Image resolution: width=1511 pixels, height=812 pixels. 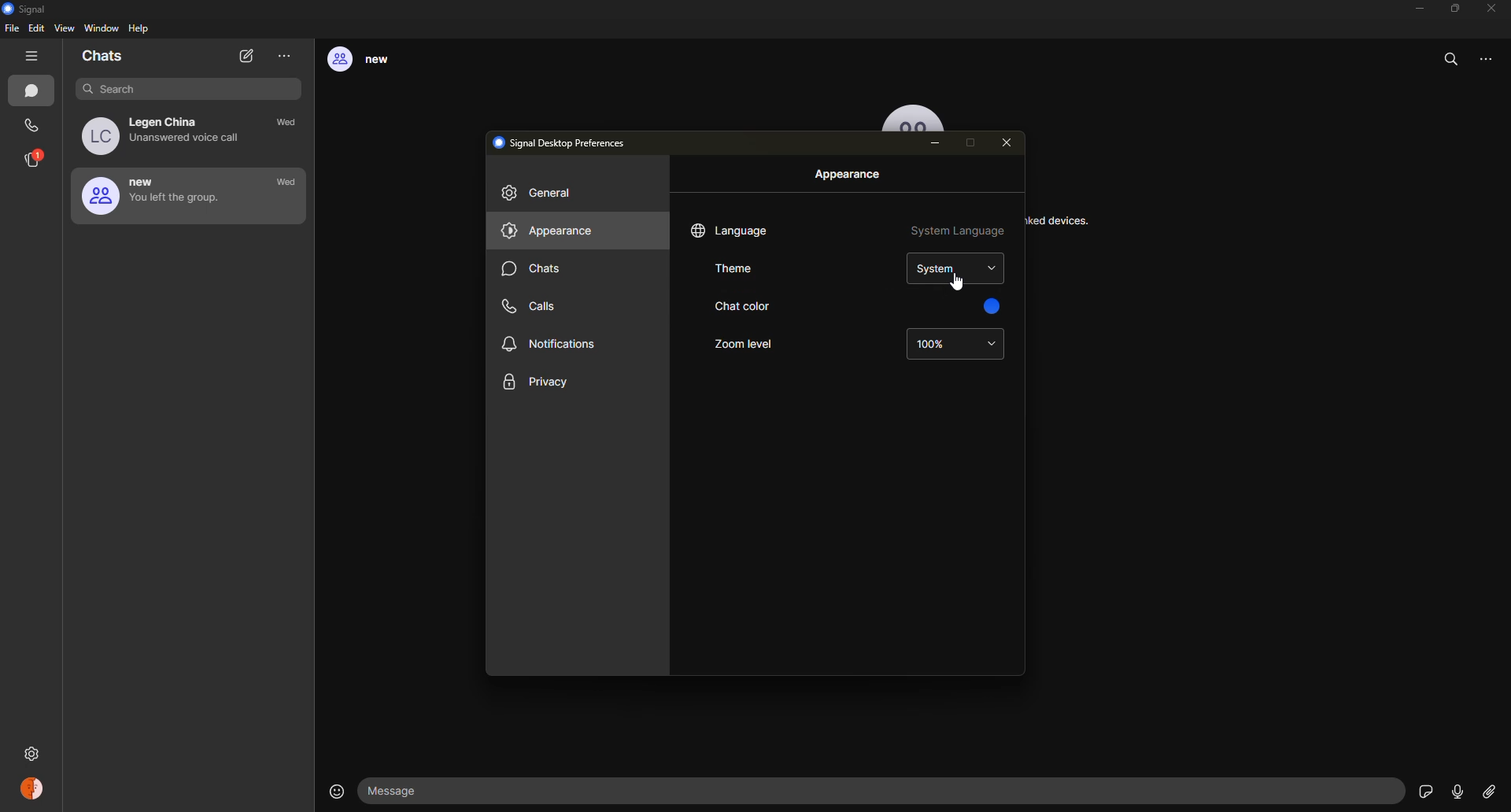 I want to click on search, so click(x=178, y=88).